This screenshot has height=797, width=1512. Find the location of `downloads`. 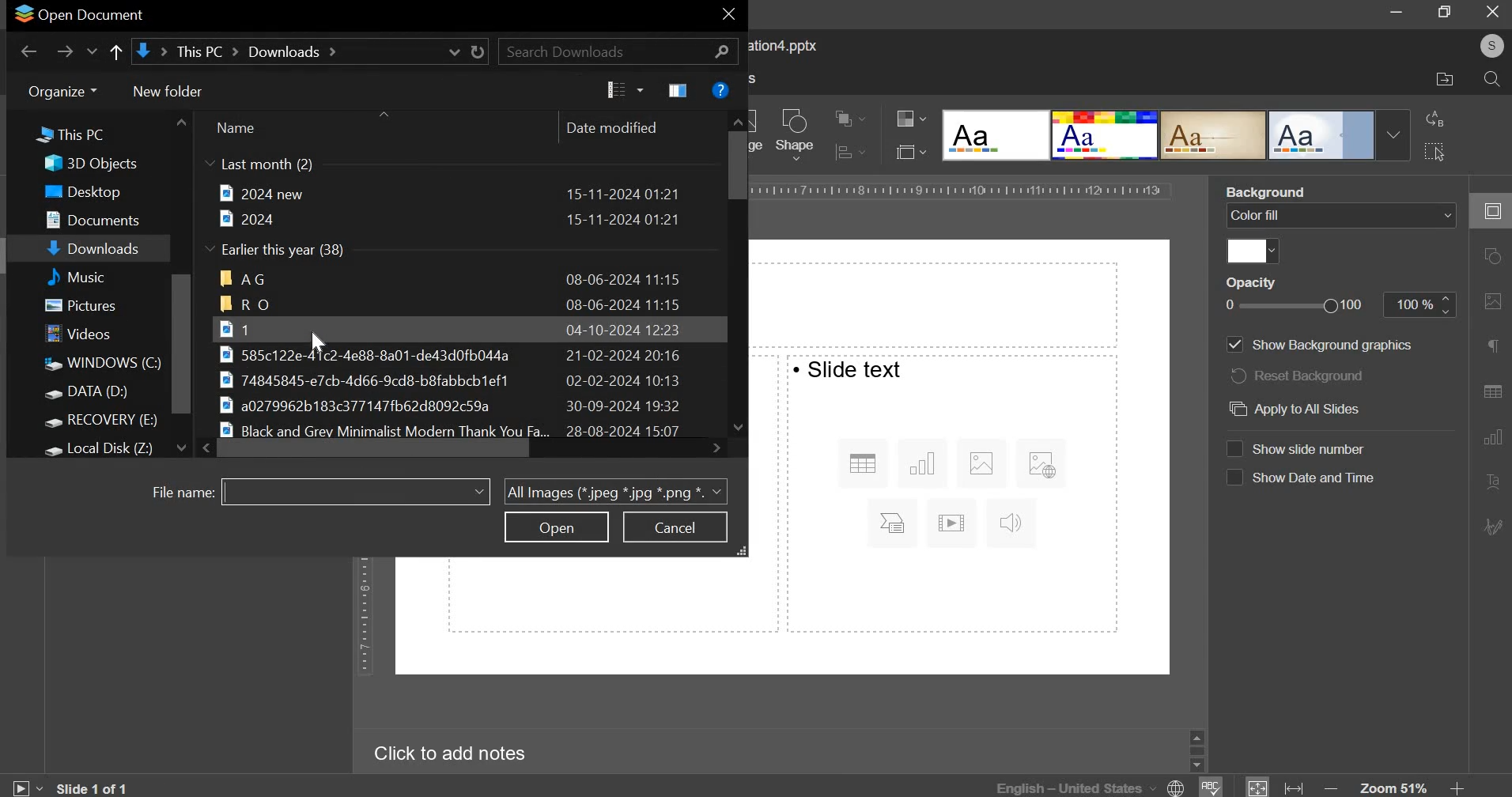

downloads is located at coordinates (96, 250).